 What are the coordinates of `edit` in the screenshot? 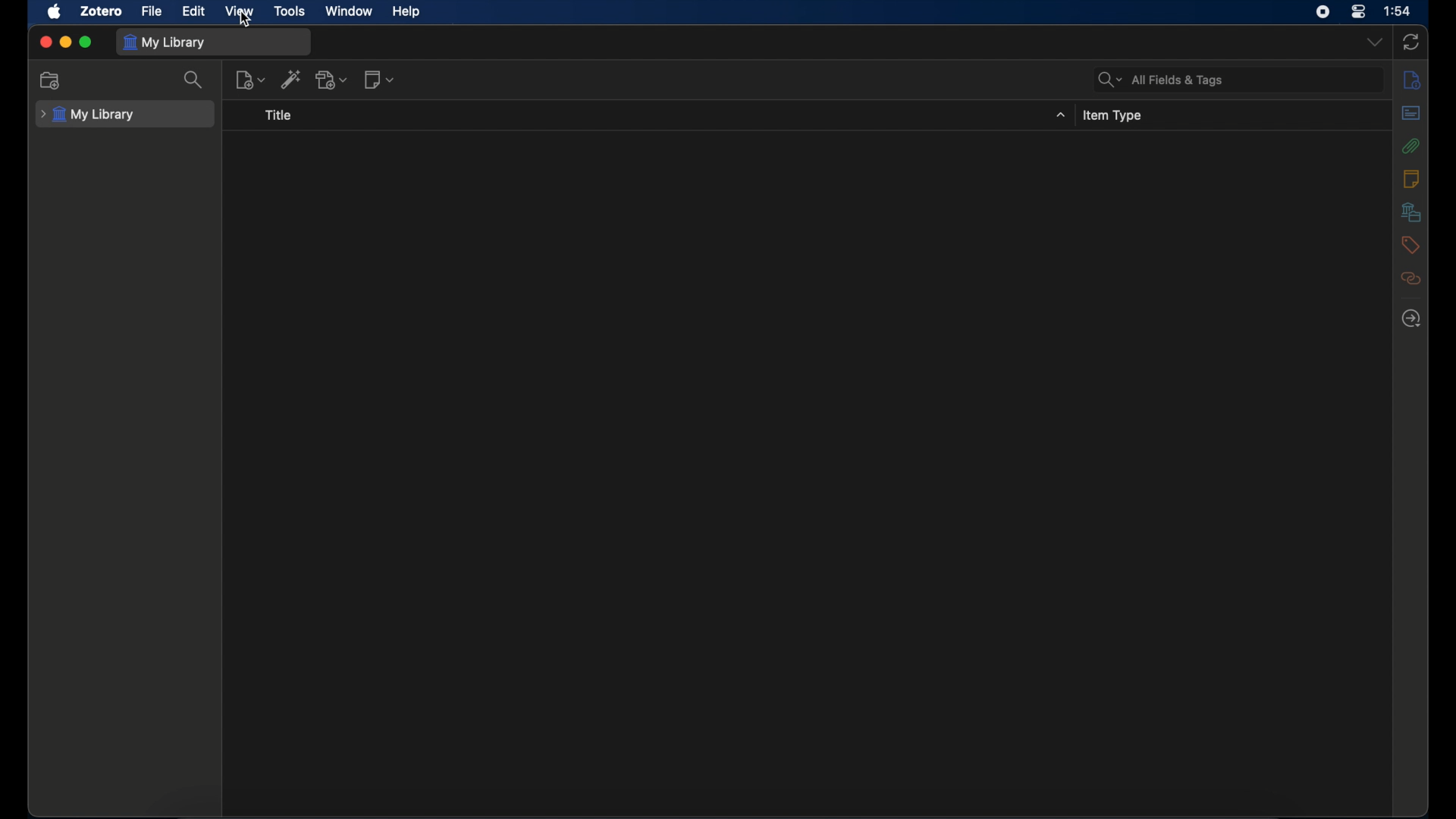 It's located at (194, 11).